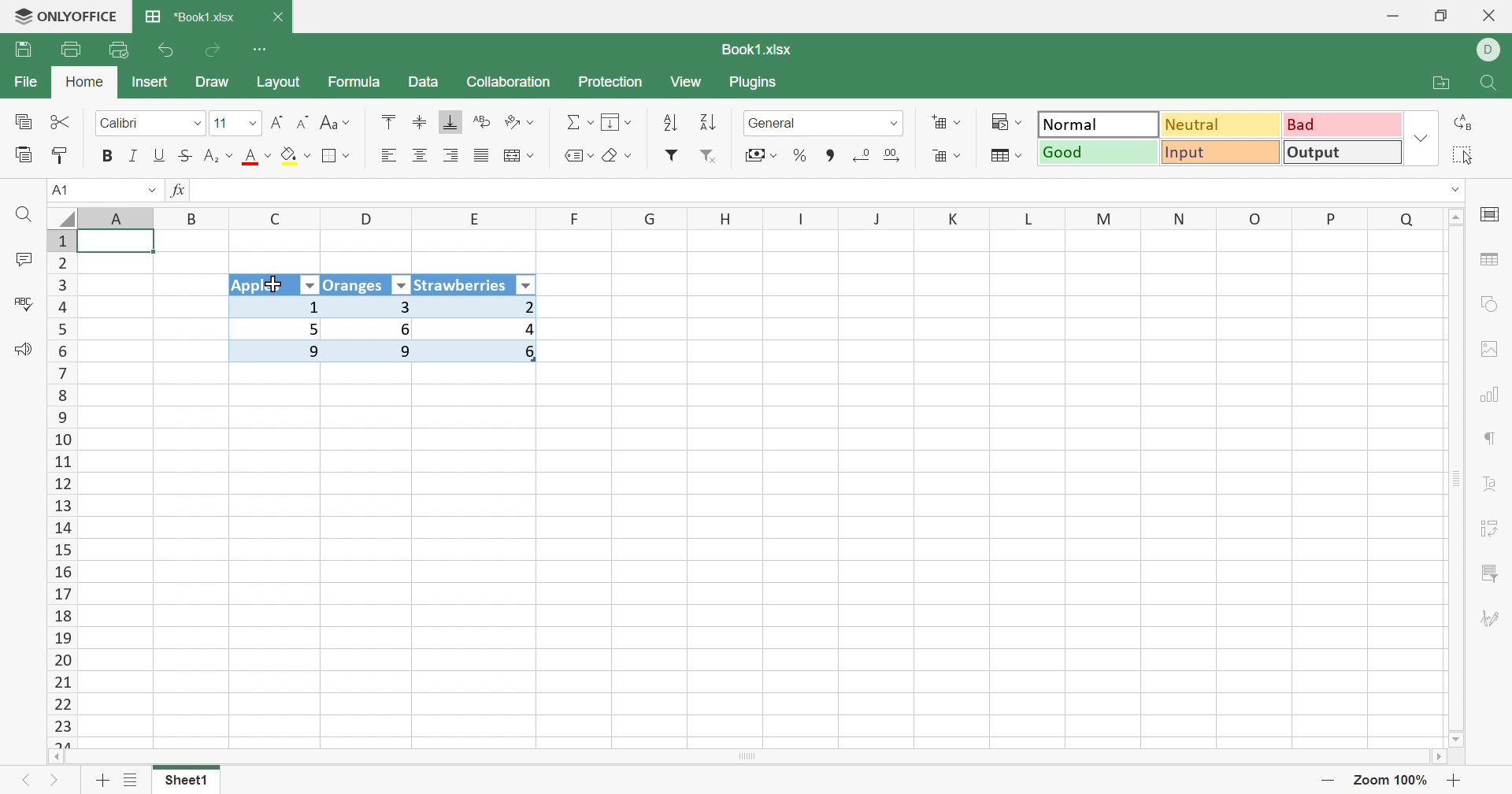 This screenshot has width=1512, height=794. What do you see at coordinates (160, 155) in the screenshot?
I see `Underline` at bounding box center [160, 155].